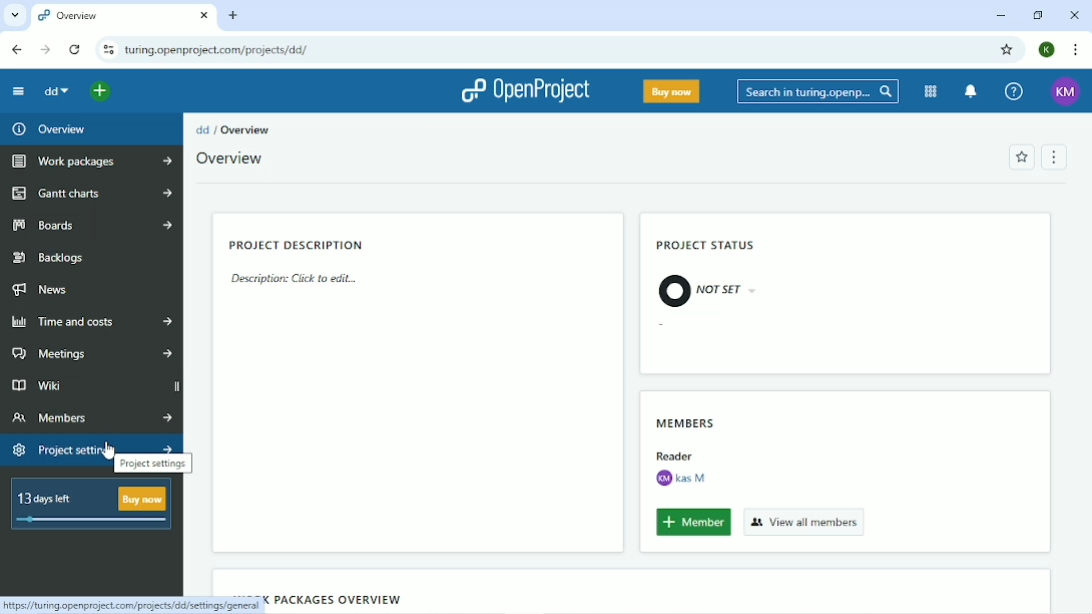 The width and height of the screenshot is (1092, 614). I want to click on Gantt charts, so click(93, 193).